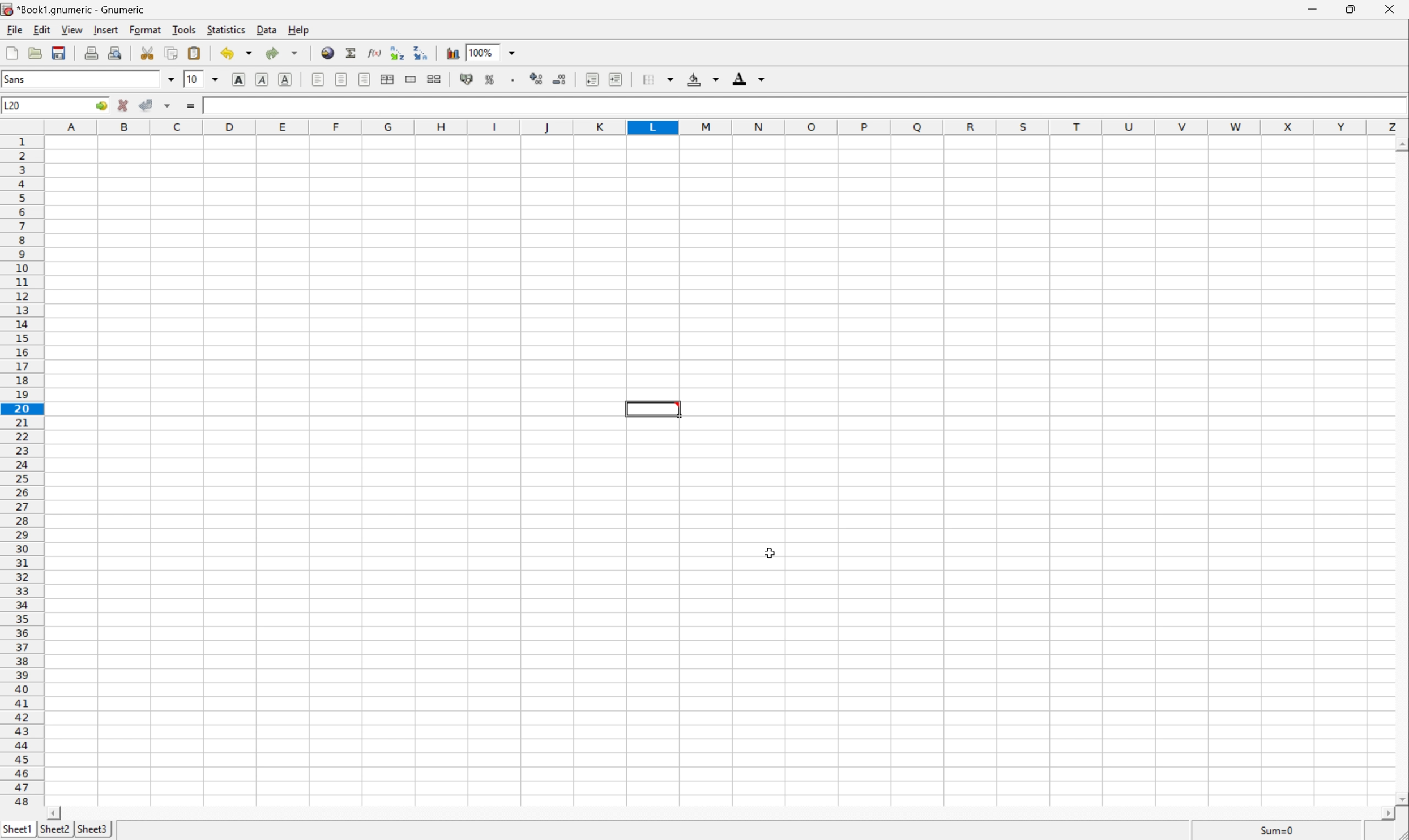  What do you see at coordinates (1380, 813) in the screenshot?
I see `Scroll Right` at bounding box center [1380, 813].